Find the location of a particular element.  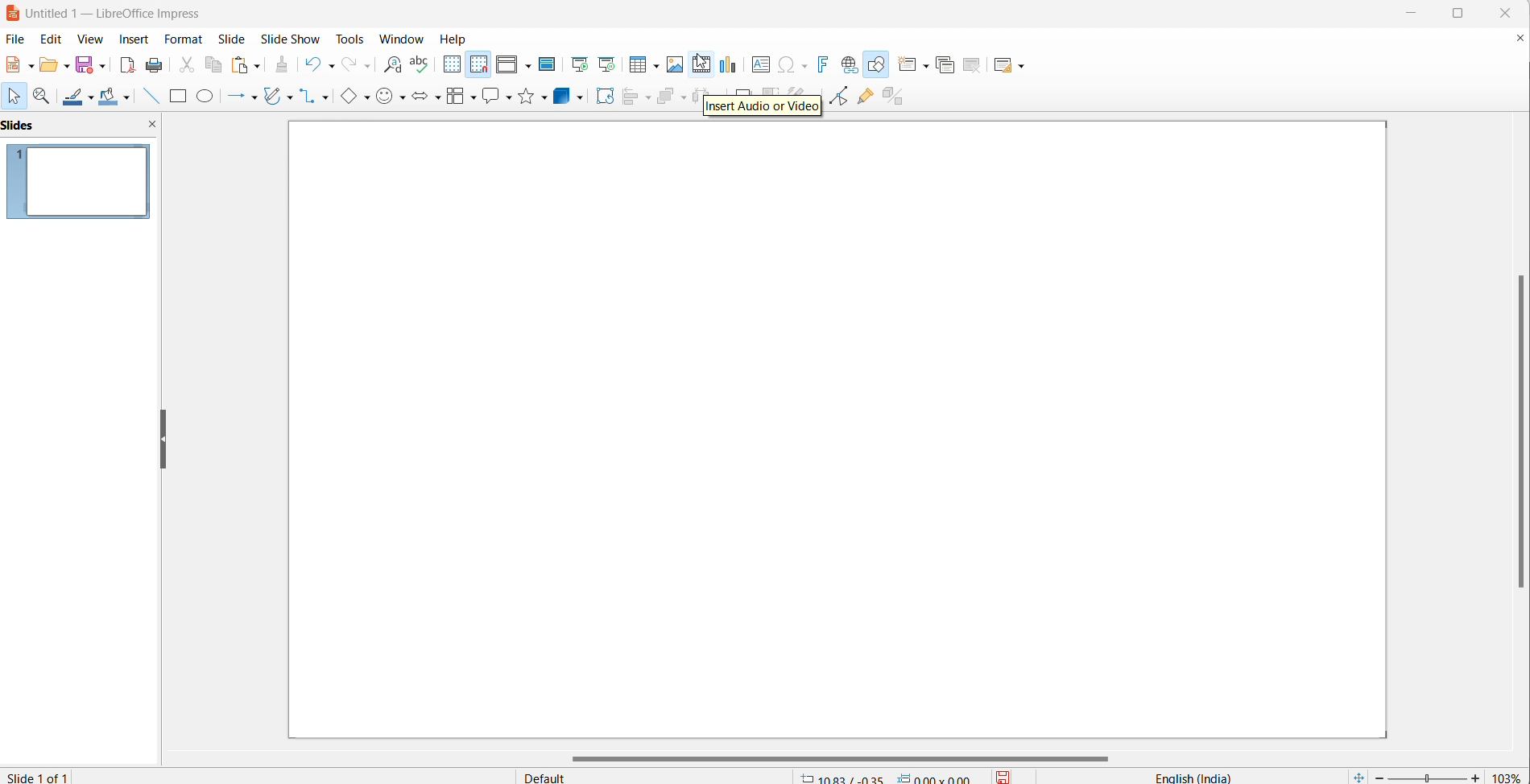

find and replace is located at coordinates (390, 66).